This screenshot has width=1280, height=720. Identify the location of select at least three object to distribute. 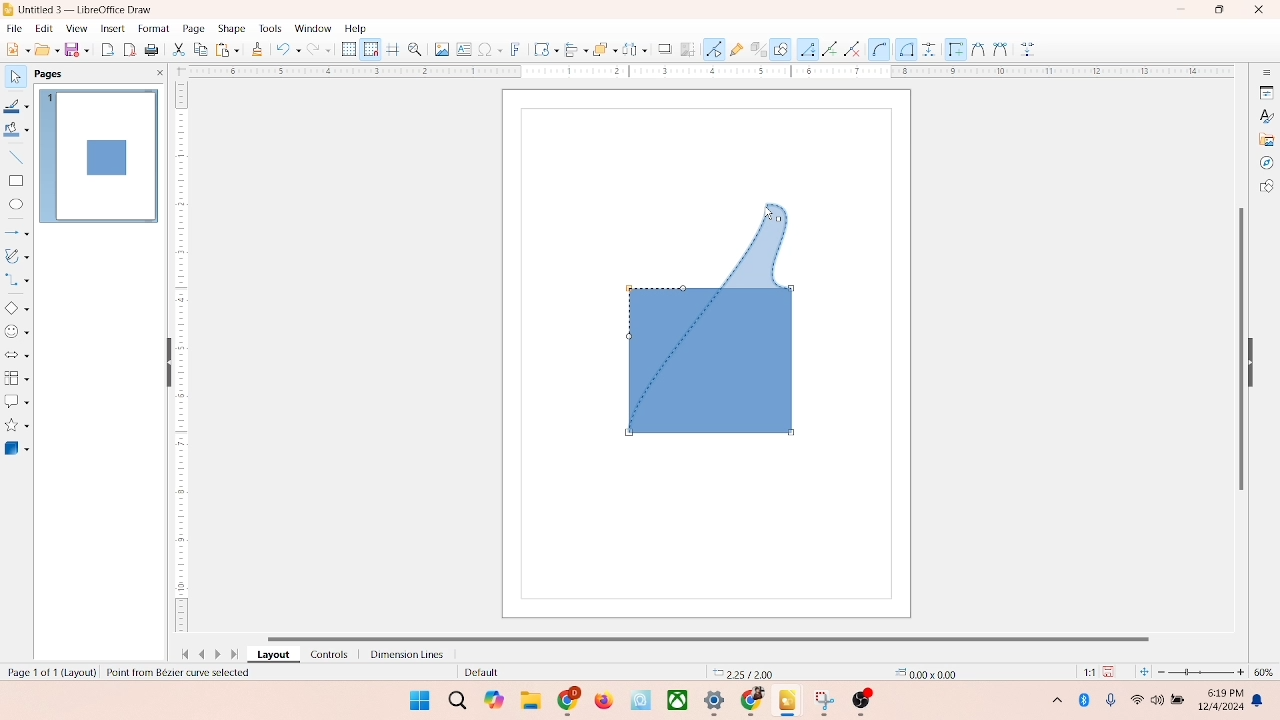
(630, 50).